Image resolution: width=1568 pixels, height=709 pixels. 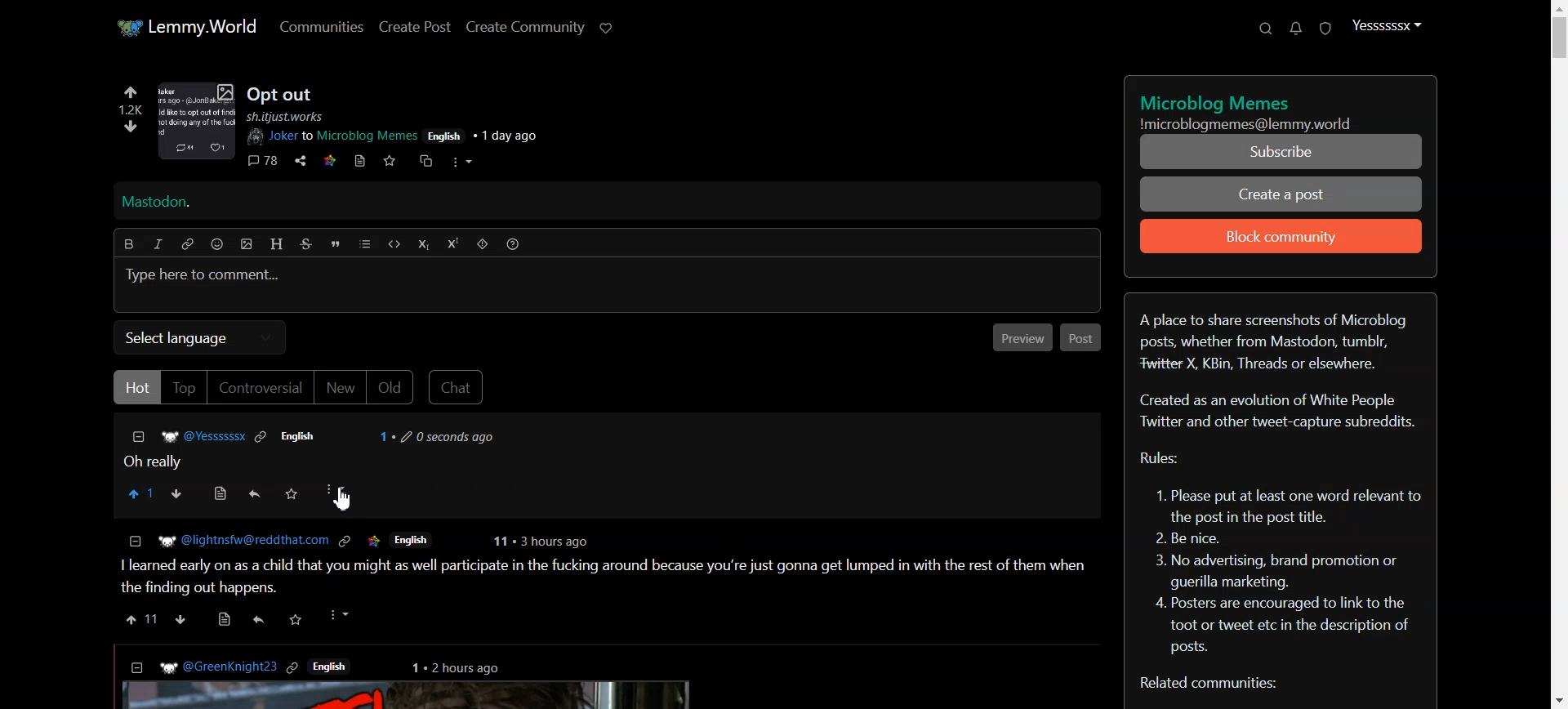 I want to click on downvote, so click(x=132, y=125).